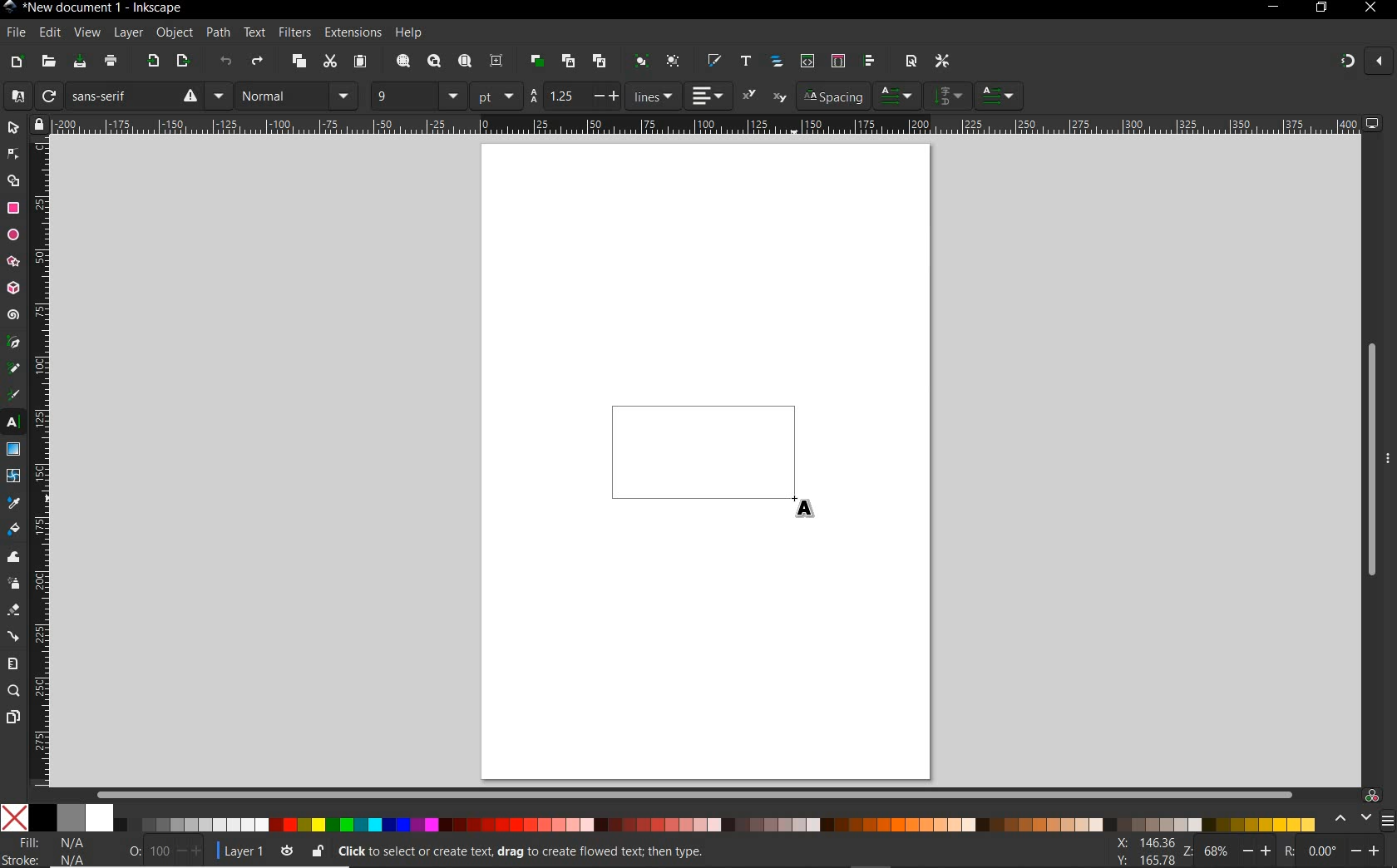 Image resolution: width=1397 pixels, height=868 pixels. What do you see at coordinates (466, 62) in the screenshot?
I see `zoom page` at bounding box center [466, 62].